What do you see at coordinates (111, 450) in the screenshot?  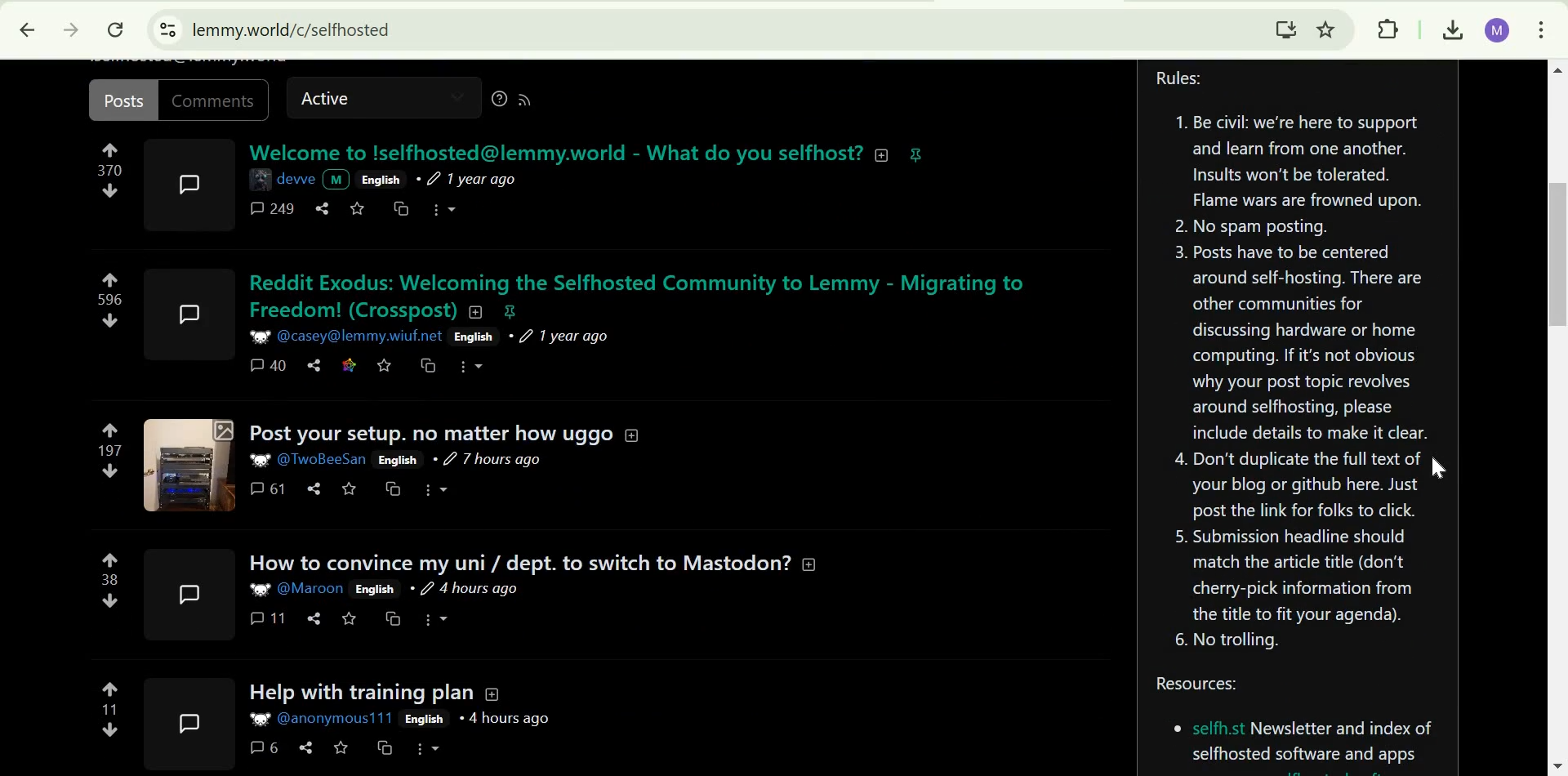 I see `197 points` at bounding box center [111, 450].